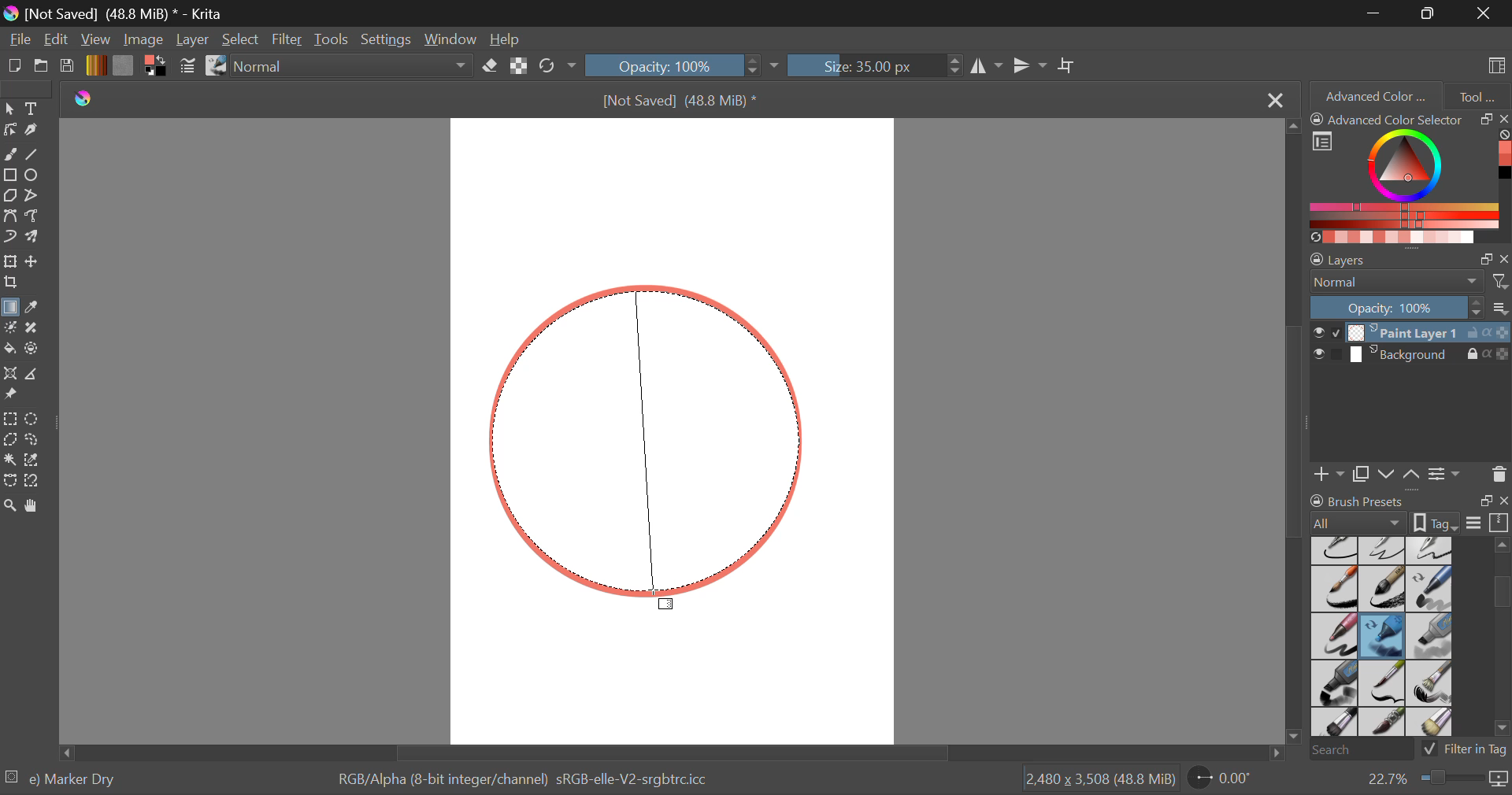 Image resolution: width=1512 pixels, height=795 pixels. I want to click on Eyedropper, so click(36, 308).